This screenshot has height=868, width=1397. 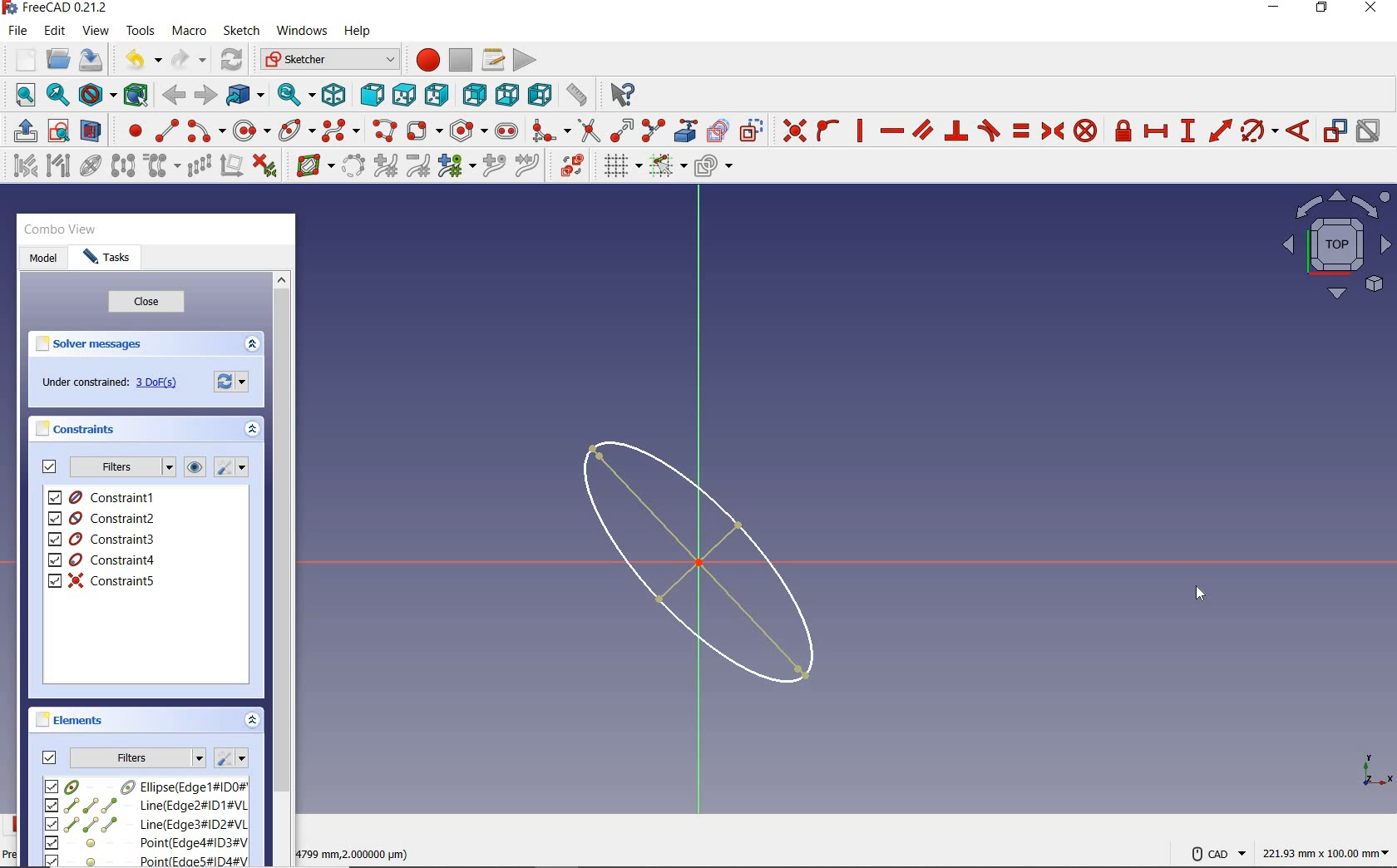 I want to click on top, so click(x=403, y=91).